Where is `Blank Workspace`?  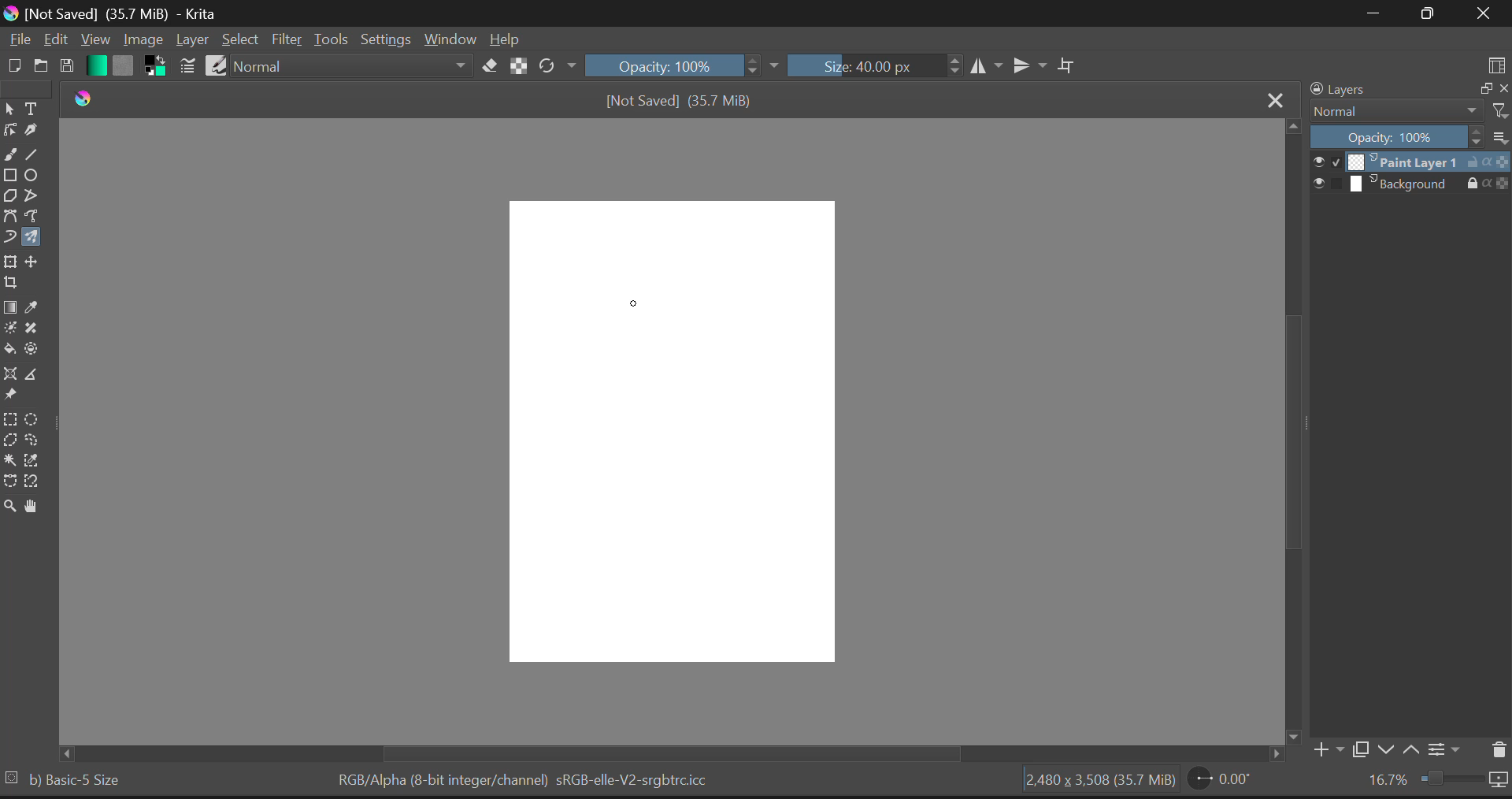
Blank Workspace is located at coordinates (673, 433).